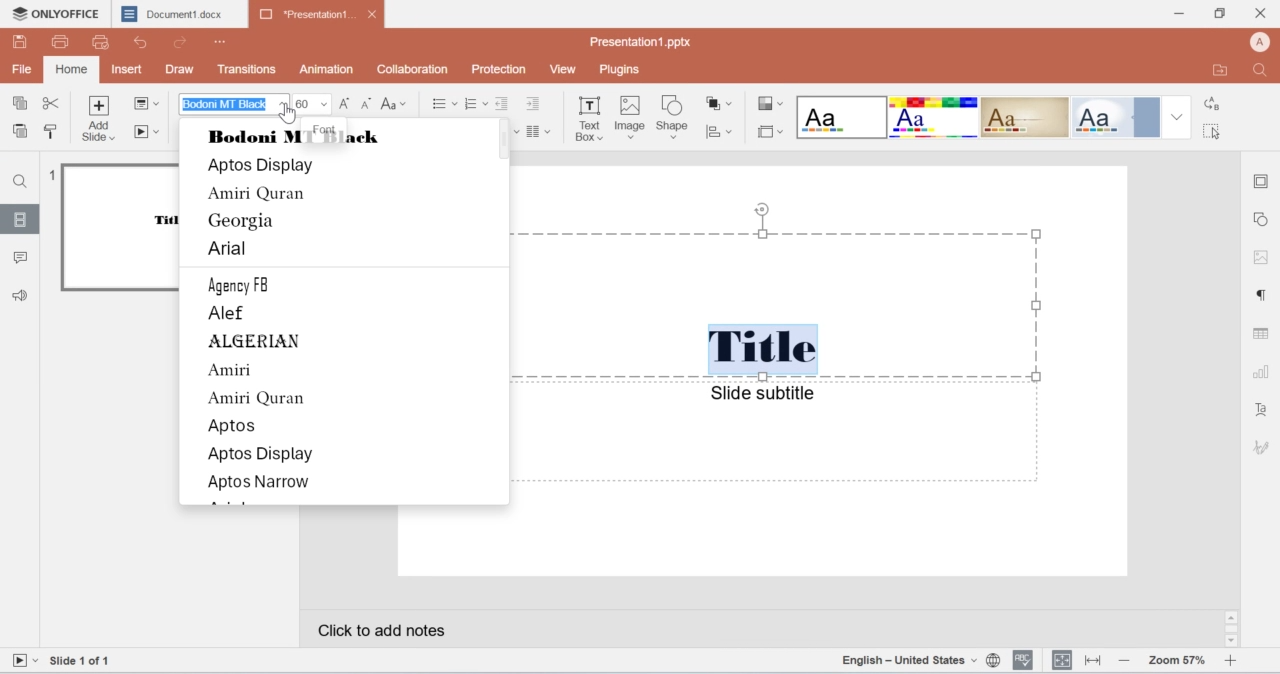 The width and height of the screenshot is (1280, 674). I want to click on numbering, so click(51, 176).